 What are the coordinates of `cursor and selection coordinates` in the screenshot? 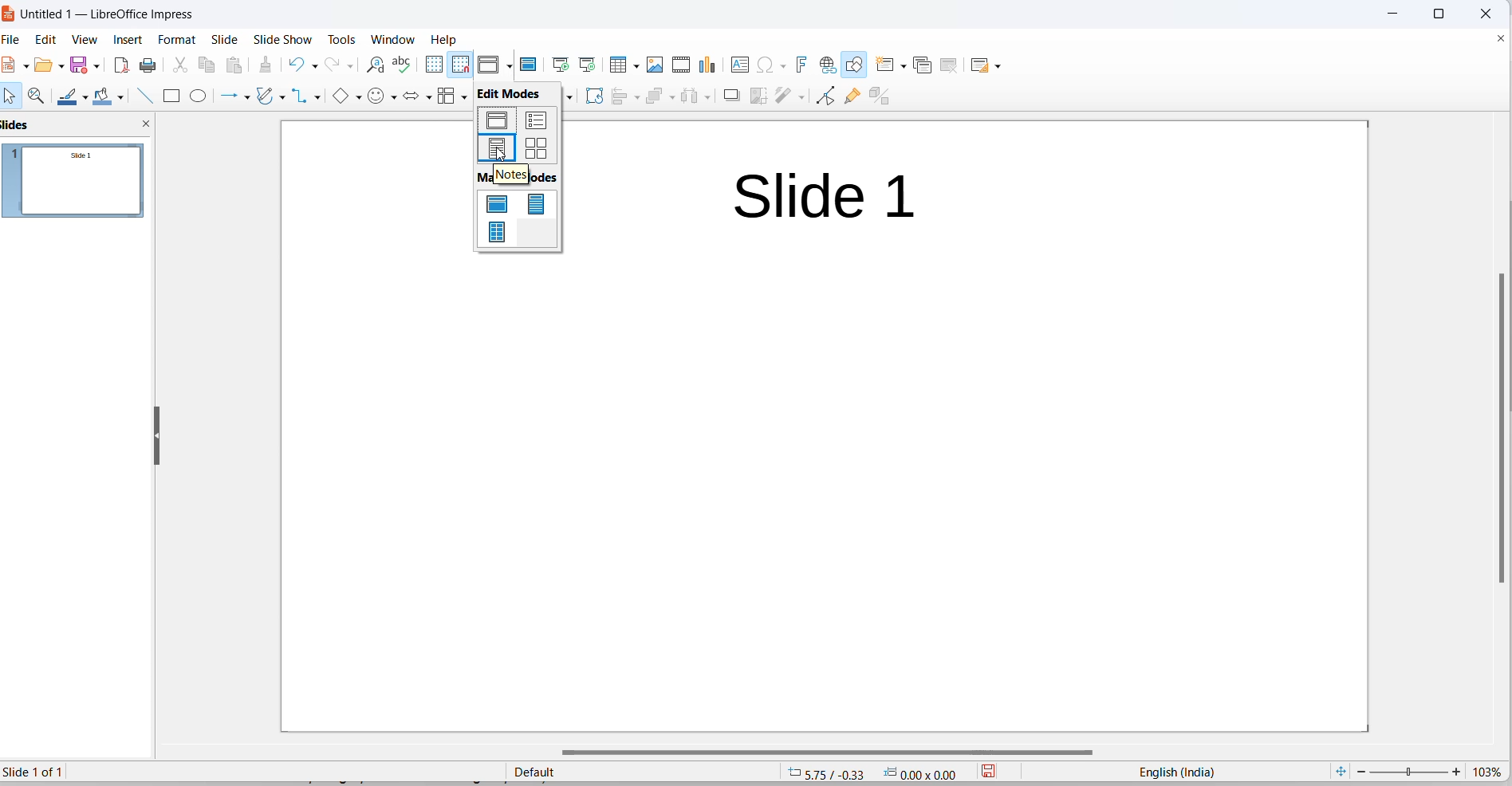 It's located at (877, 772).